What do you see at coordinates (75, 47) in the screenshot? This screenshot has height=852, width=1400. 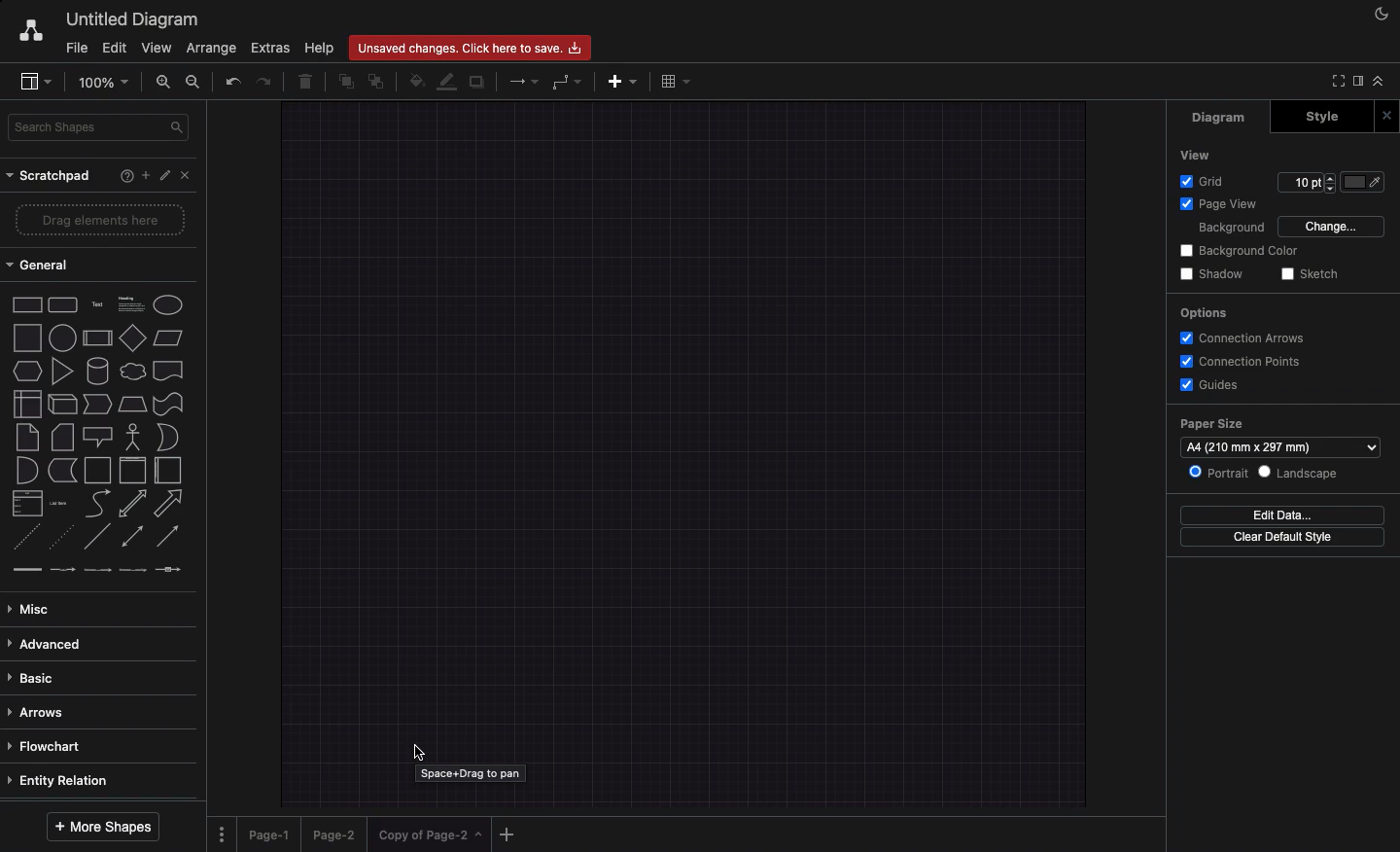 I see `File` at bounding box center [75, 47].